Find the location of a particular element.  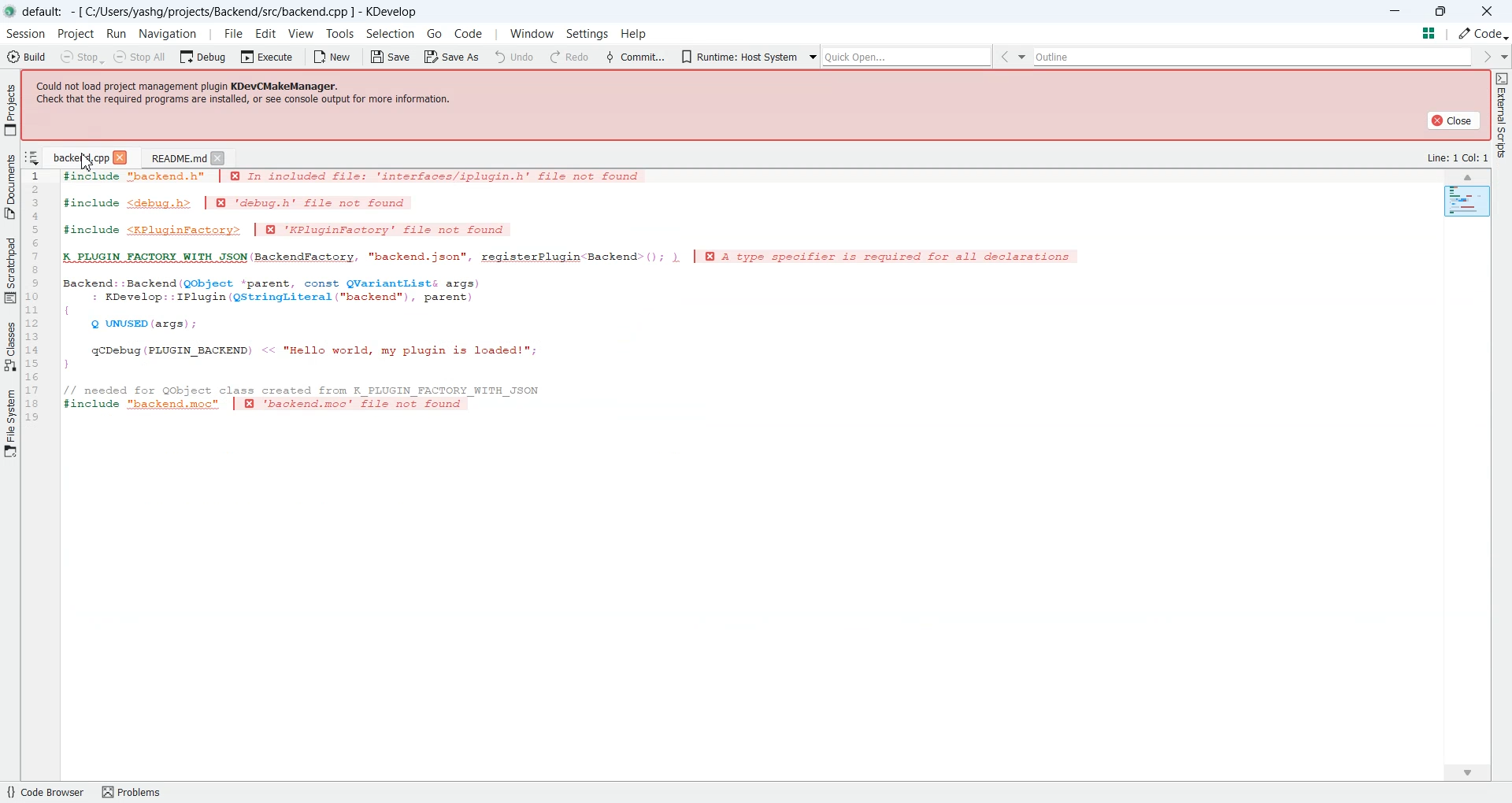

UNUSED (args) ; is located at coordinates (141, 325).